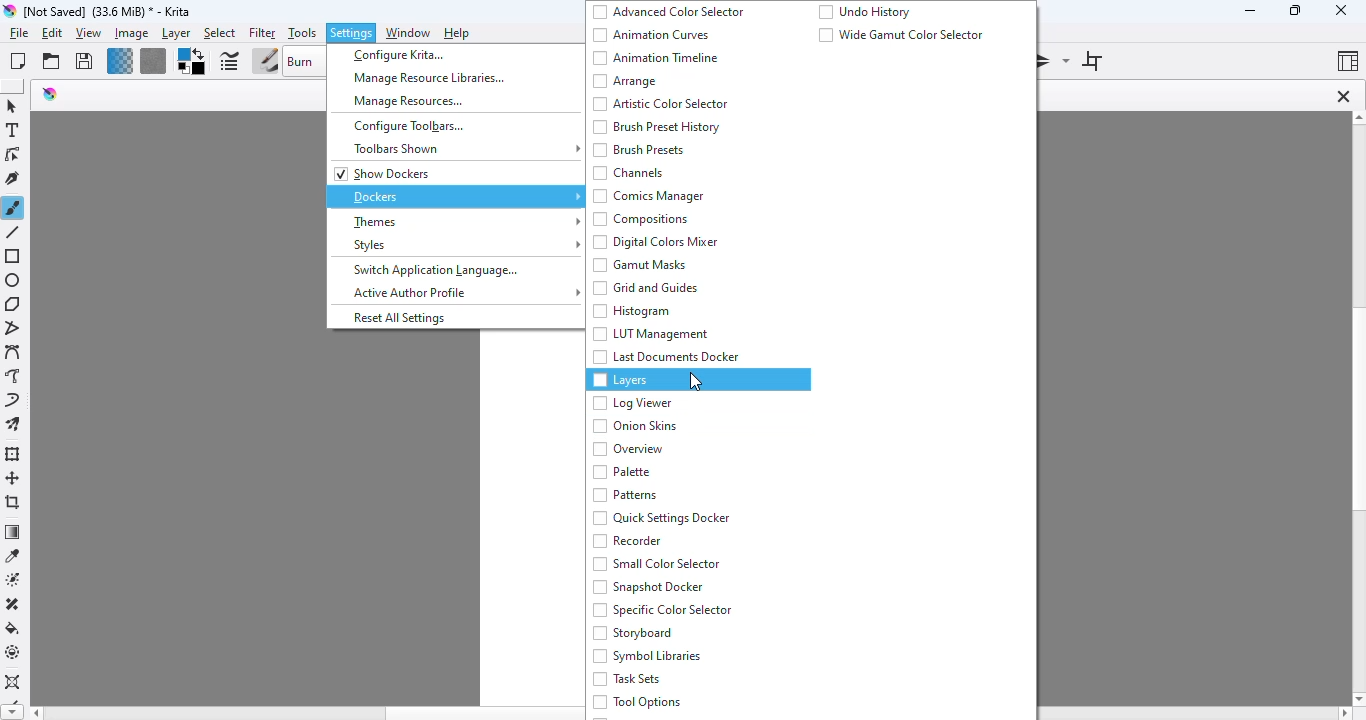 This screenshot has width=1366, height=720. Describe the element at coordinates (1343, 714) in the screenshot. I see `scroll right` at that location.